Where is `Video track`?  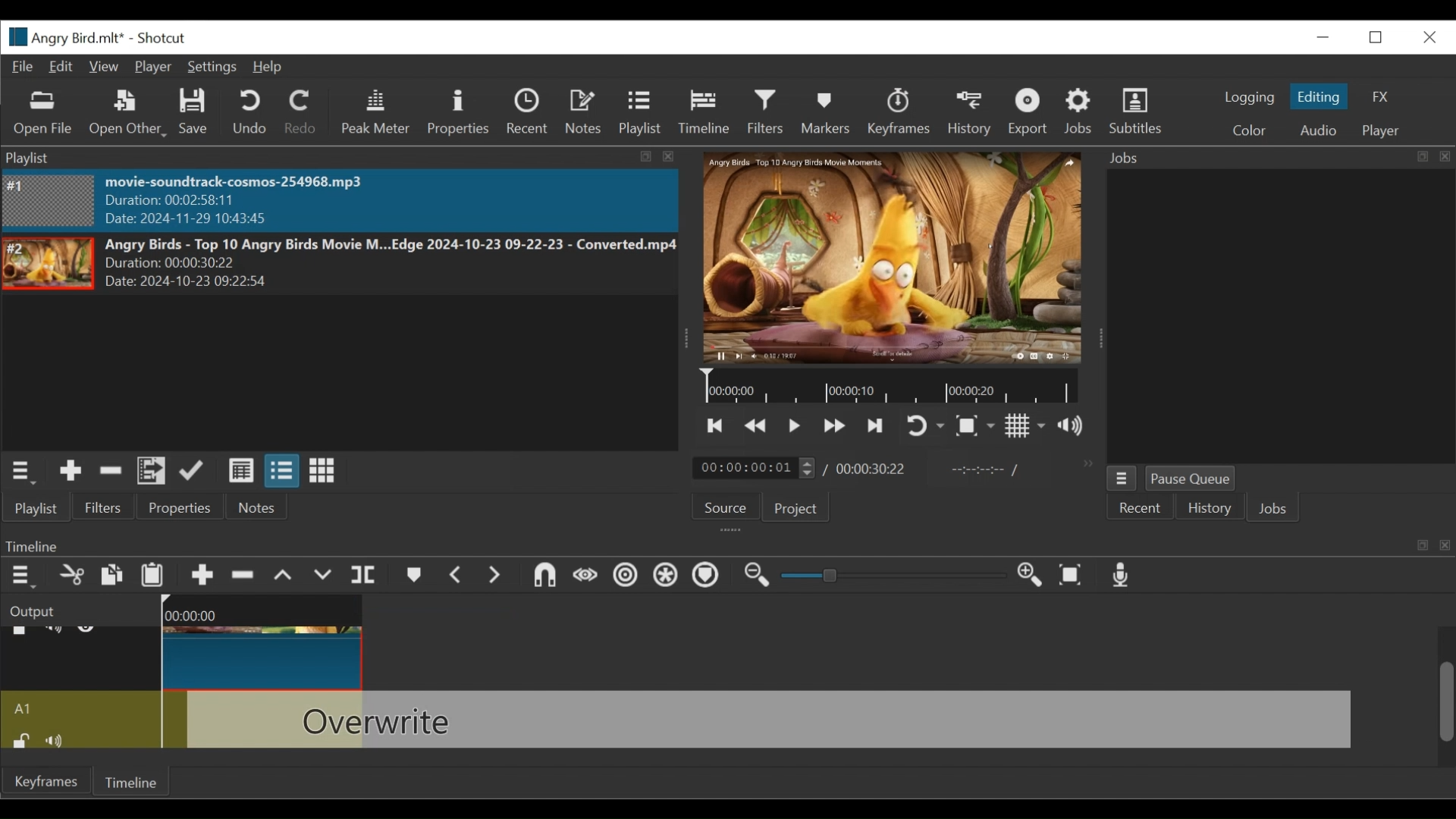 Video track is located at coordinates (81, 659).